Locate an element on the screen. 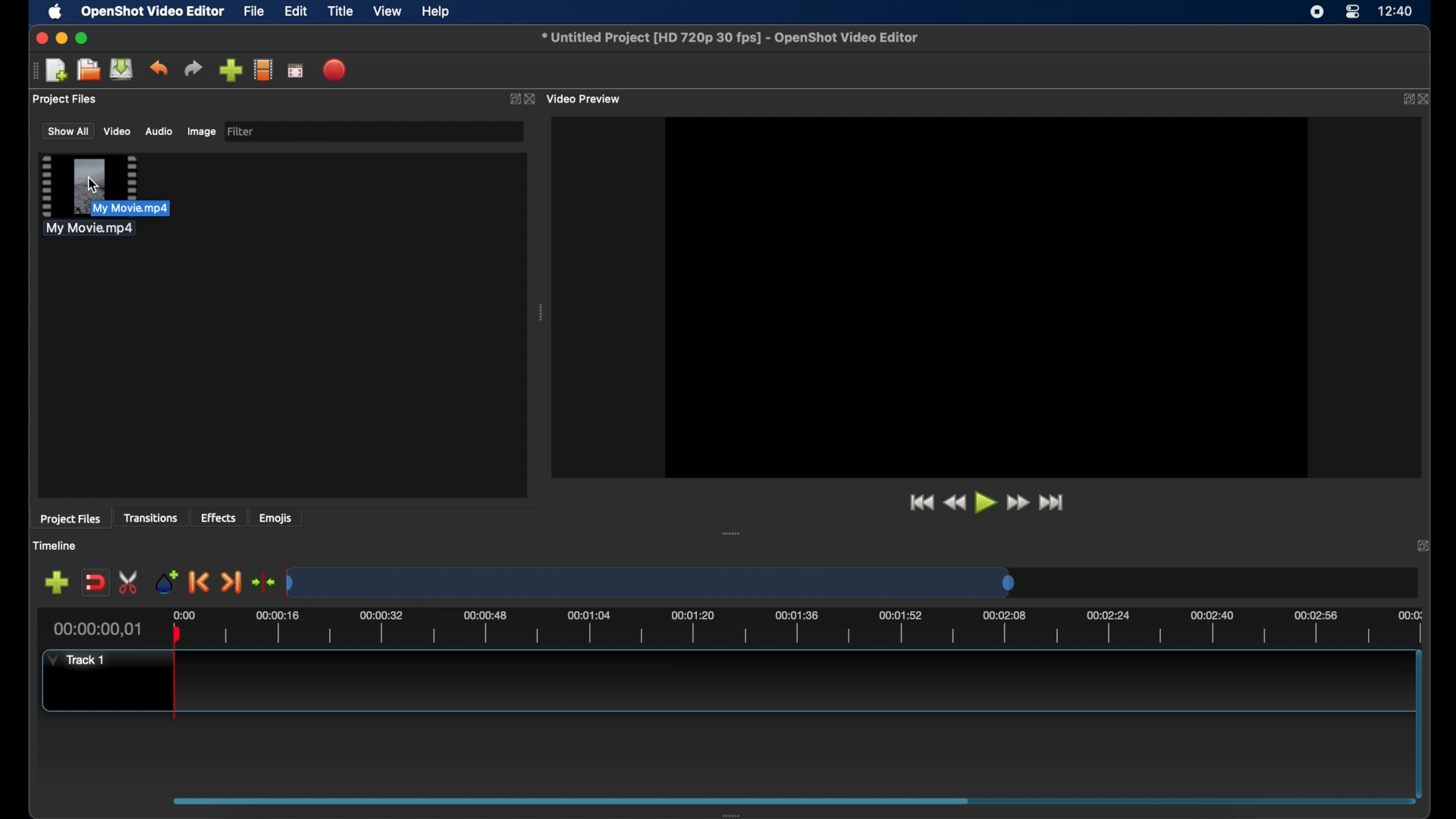 This screenshot has height=819, width=1456. next marker is located at coordinates (231, 583).